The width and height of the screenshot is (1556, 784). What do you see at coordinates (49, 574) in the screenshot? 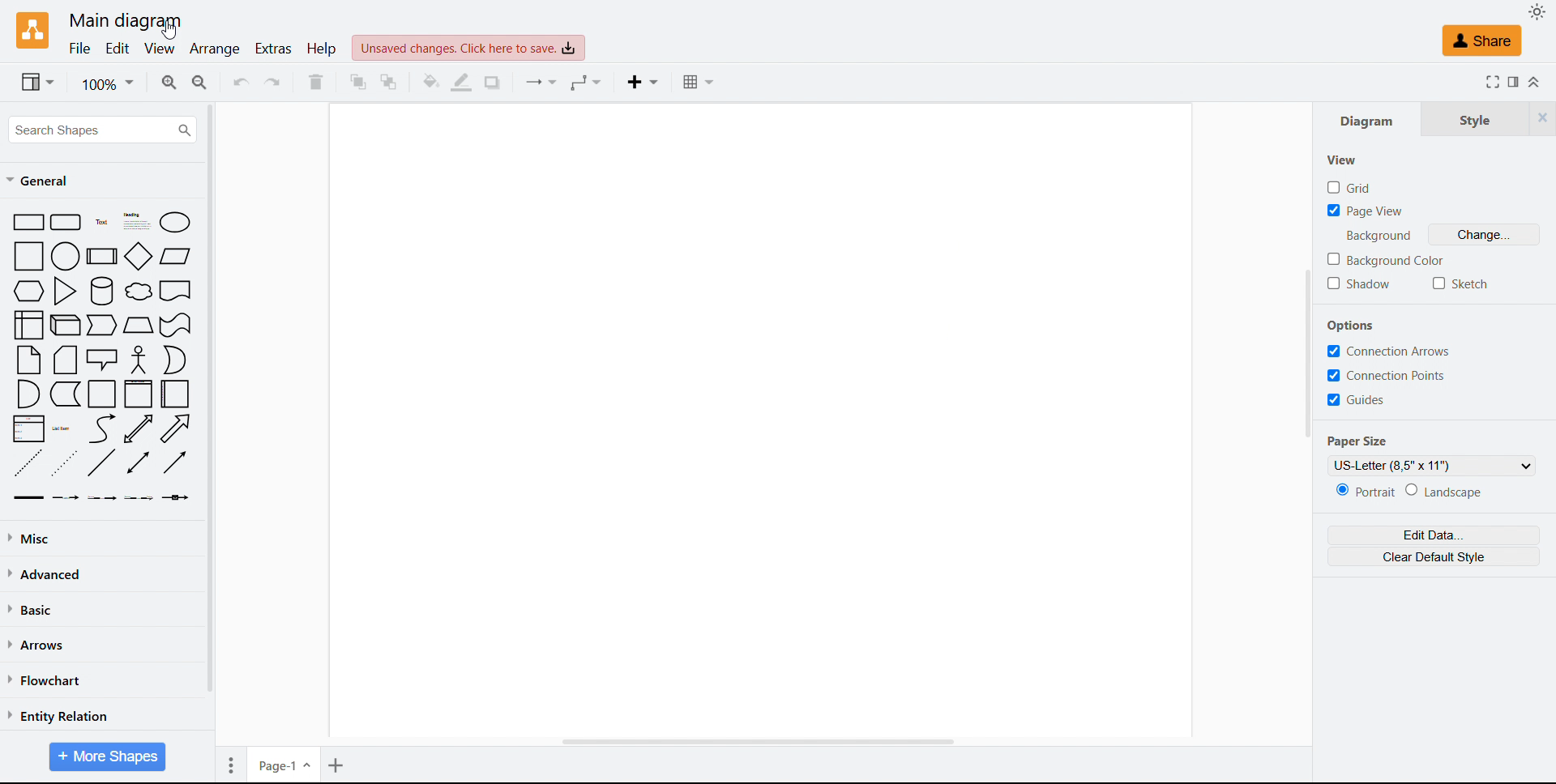
I see `Advanced ` at bounding box center [49, 574].